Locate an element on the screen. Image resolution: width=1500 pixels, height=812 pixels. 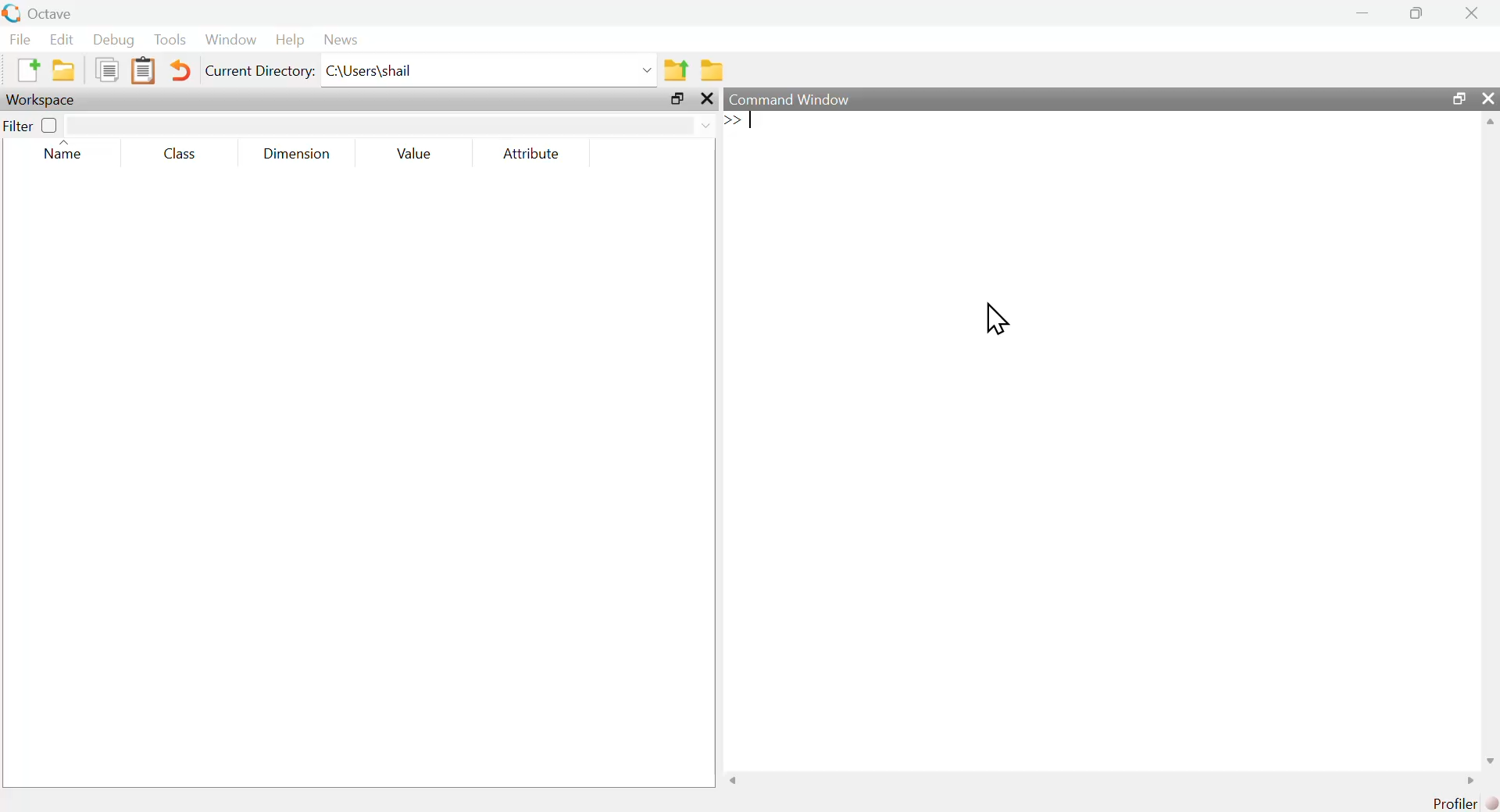
Profiler is located at coordinates (1466, 803).